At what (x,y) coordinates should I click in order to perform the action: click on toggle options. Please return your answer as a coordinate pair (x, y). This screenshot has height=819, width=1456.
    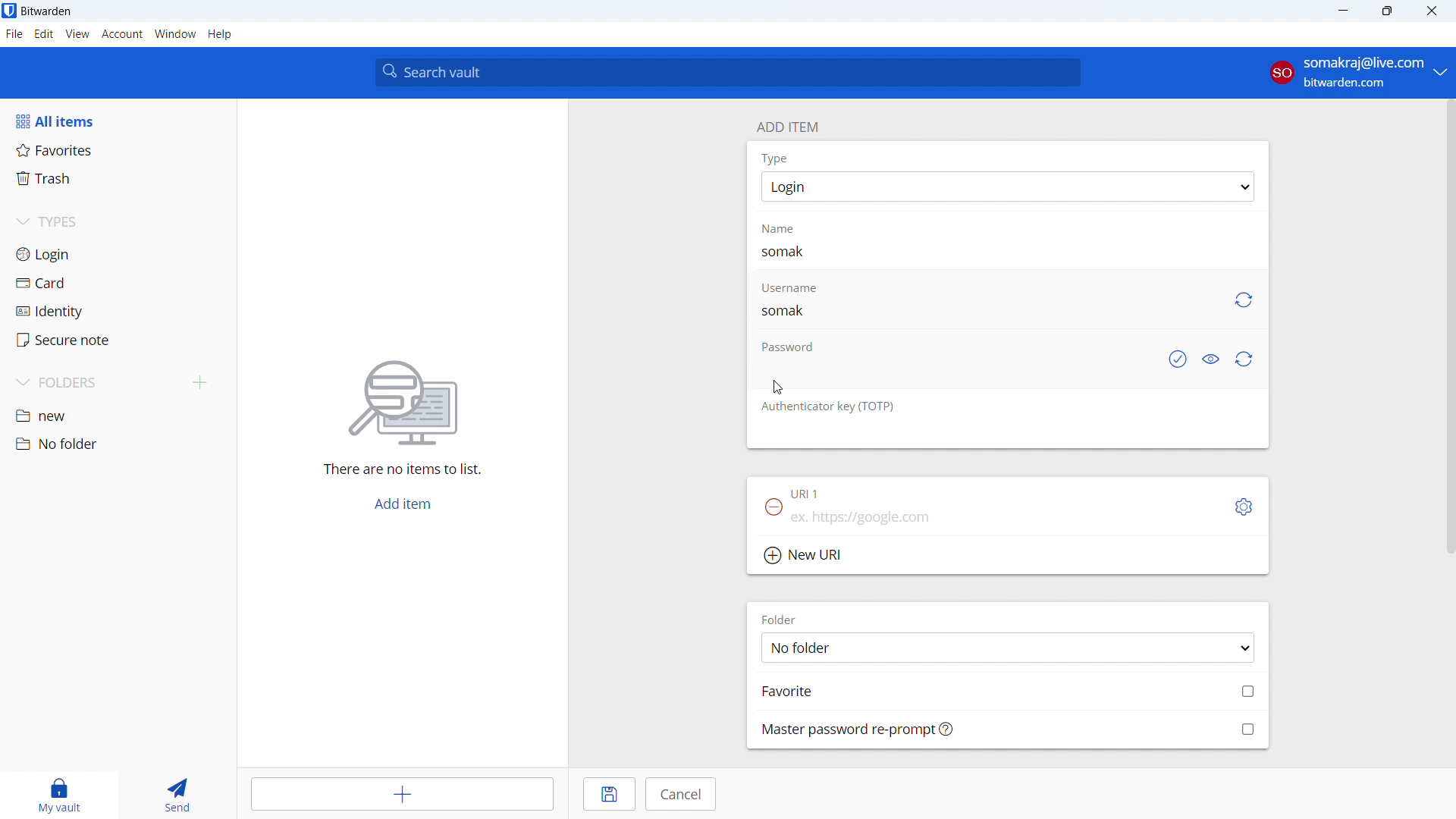
    Looking at the image, I should click on (1244, 507).